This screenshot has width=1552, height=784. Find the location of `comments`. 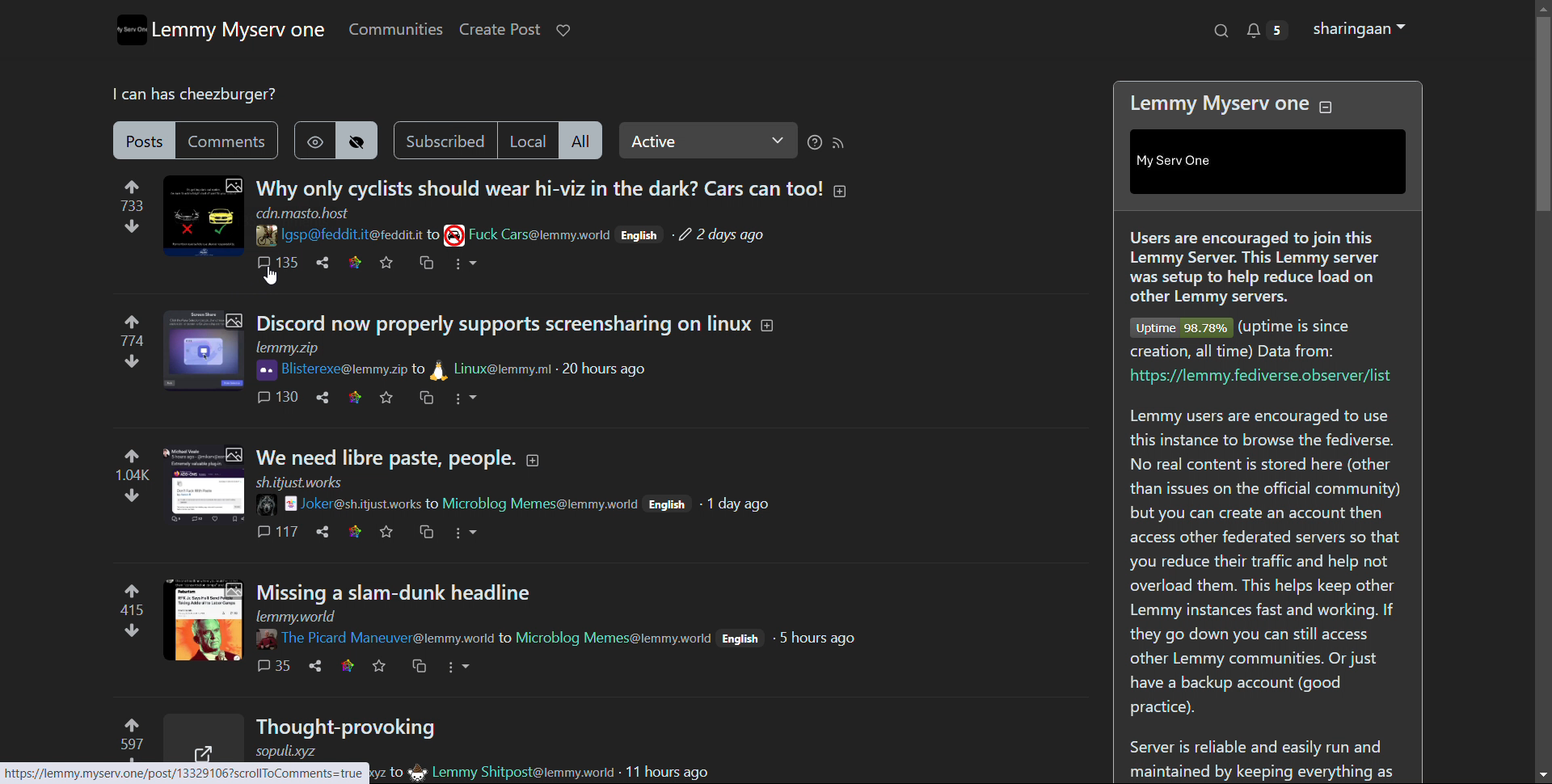

comments is located at coordinates (226, 140).